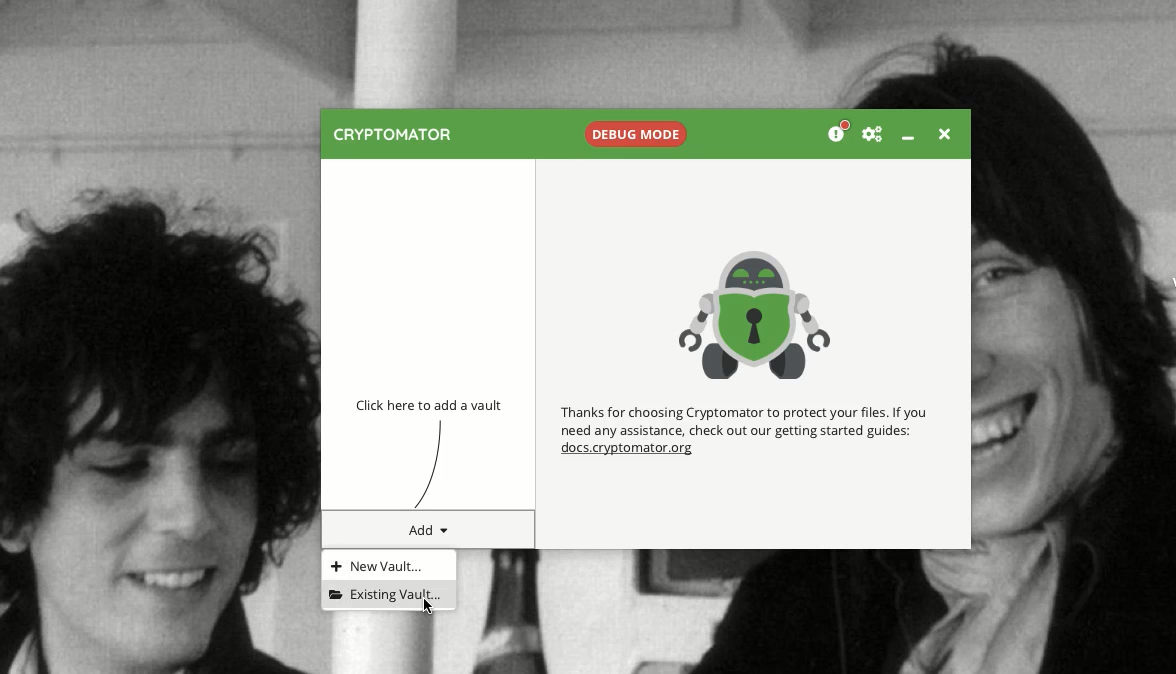 This screenshot has height=674, width=1176. Describe the element at coordinates (873, 134) in the screenshot. I see `Preferences` at that location.